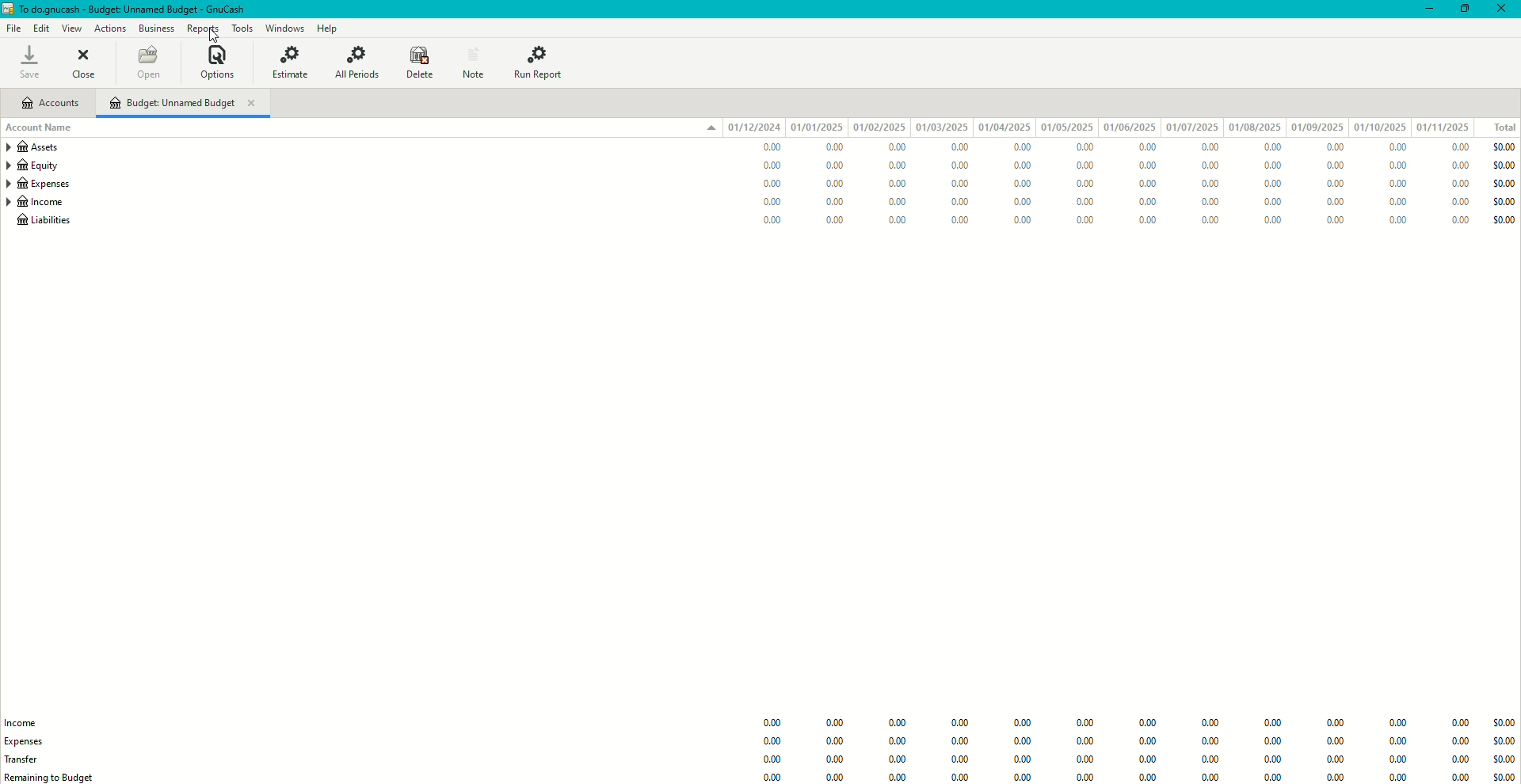 This screenshot has height=784, width=1521. Describe the element at coordinates (240, 28) in the screenshot. I see `Tools` at that location.